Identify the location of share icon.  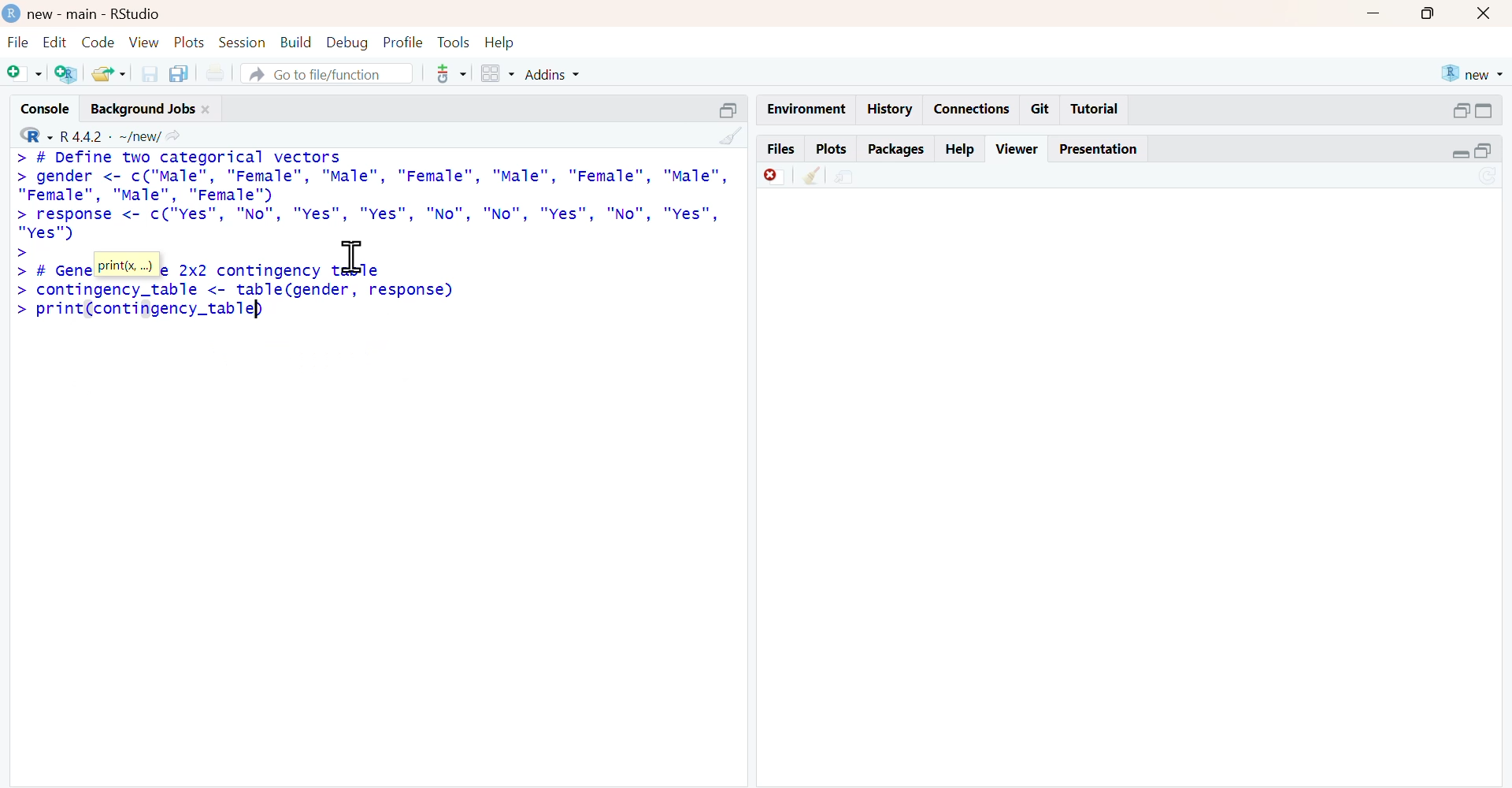
(175, 137).